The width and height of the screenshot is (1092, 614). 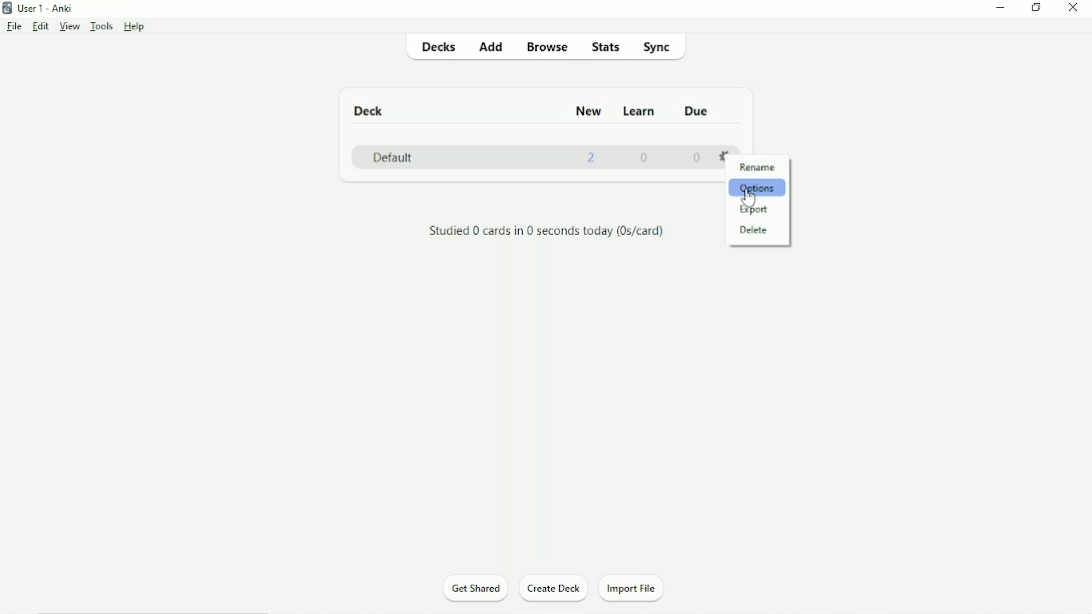 What do you see at coordinates (758, 167) in the screenshot?
I see `Rename` at bounding box center [758, 167].